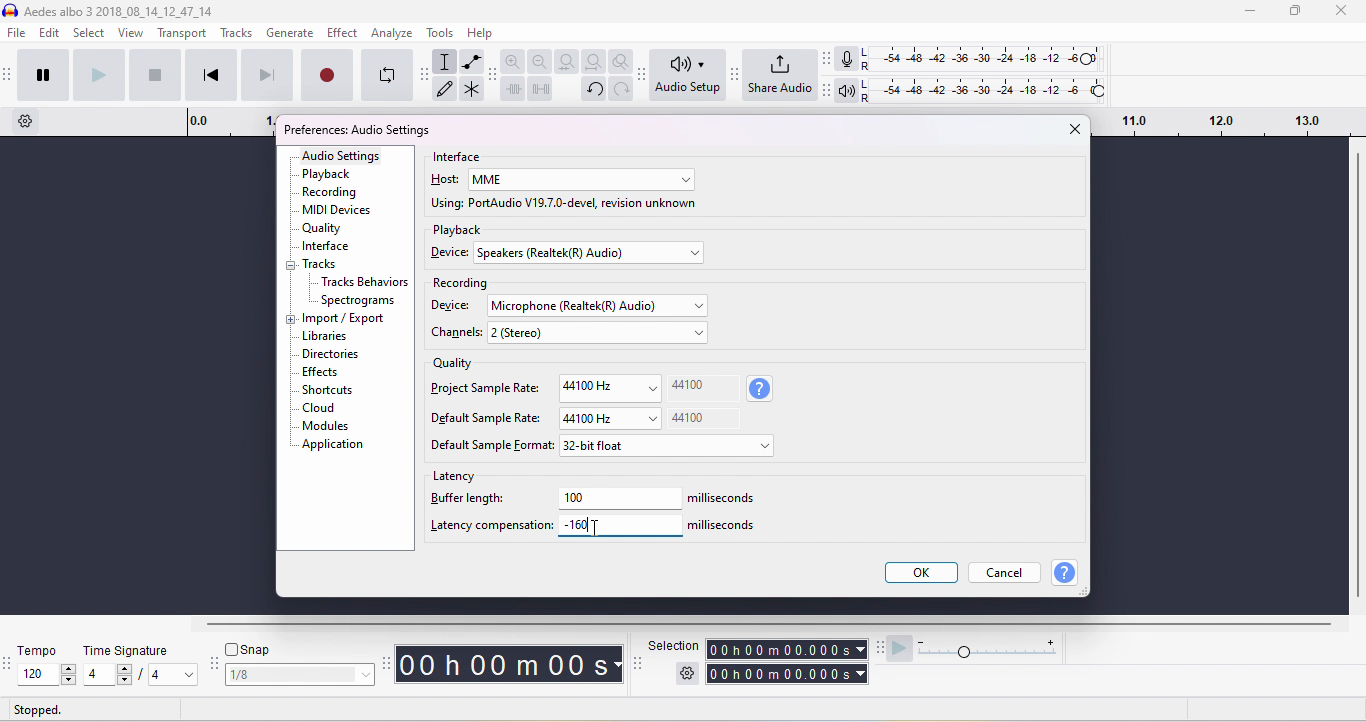 Image resolution: width=1366 pixels, height=722 pixels. Describe the element at coordinates (480, 32) in the screenshot. I see `help` at that location.